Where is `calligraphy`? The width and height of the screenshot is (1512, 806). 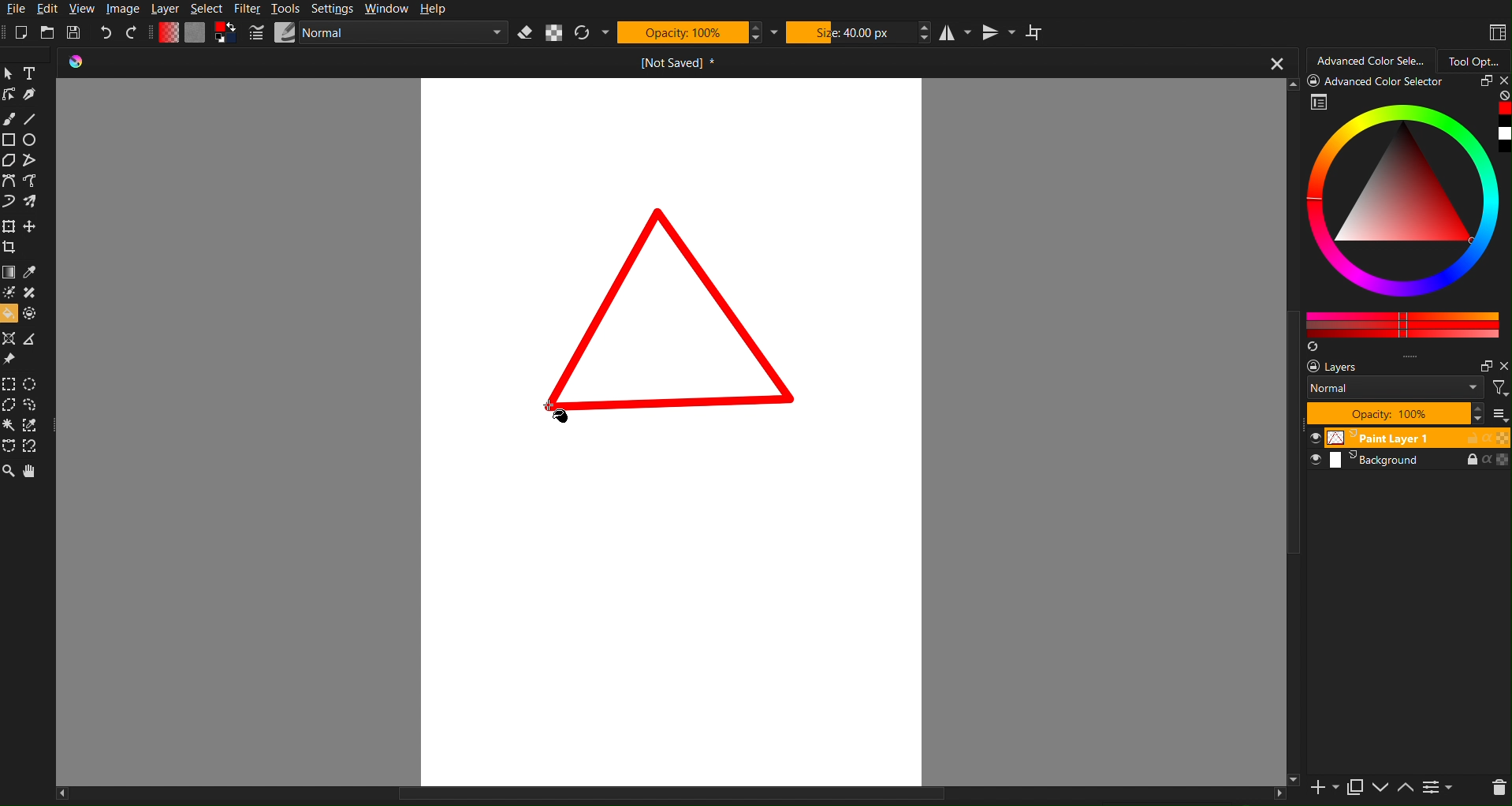 calligraphy is located at coordinates (30, 95).